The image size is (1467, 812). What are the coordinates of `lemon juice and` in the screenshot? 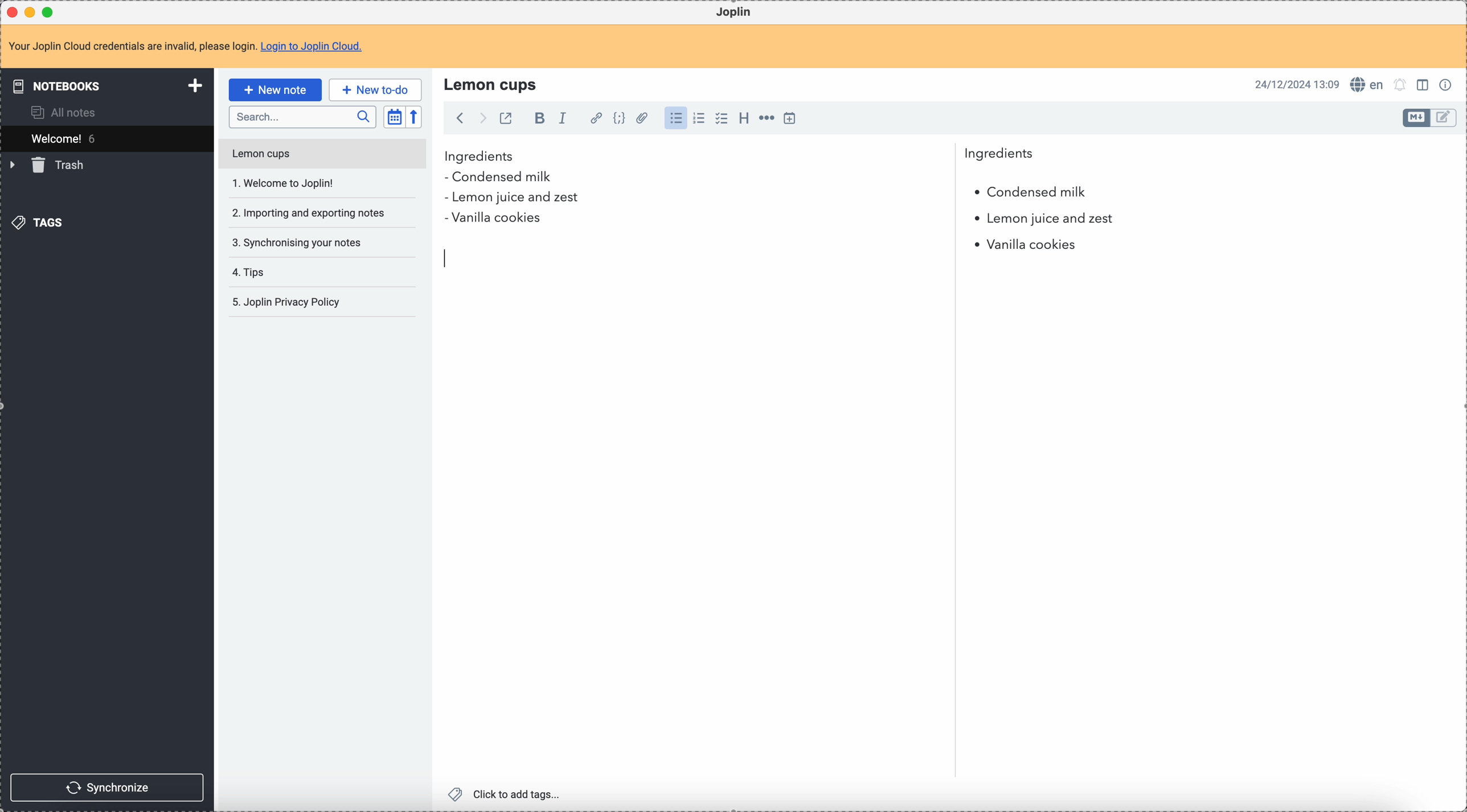 It's located at (1043, 220).